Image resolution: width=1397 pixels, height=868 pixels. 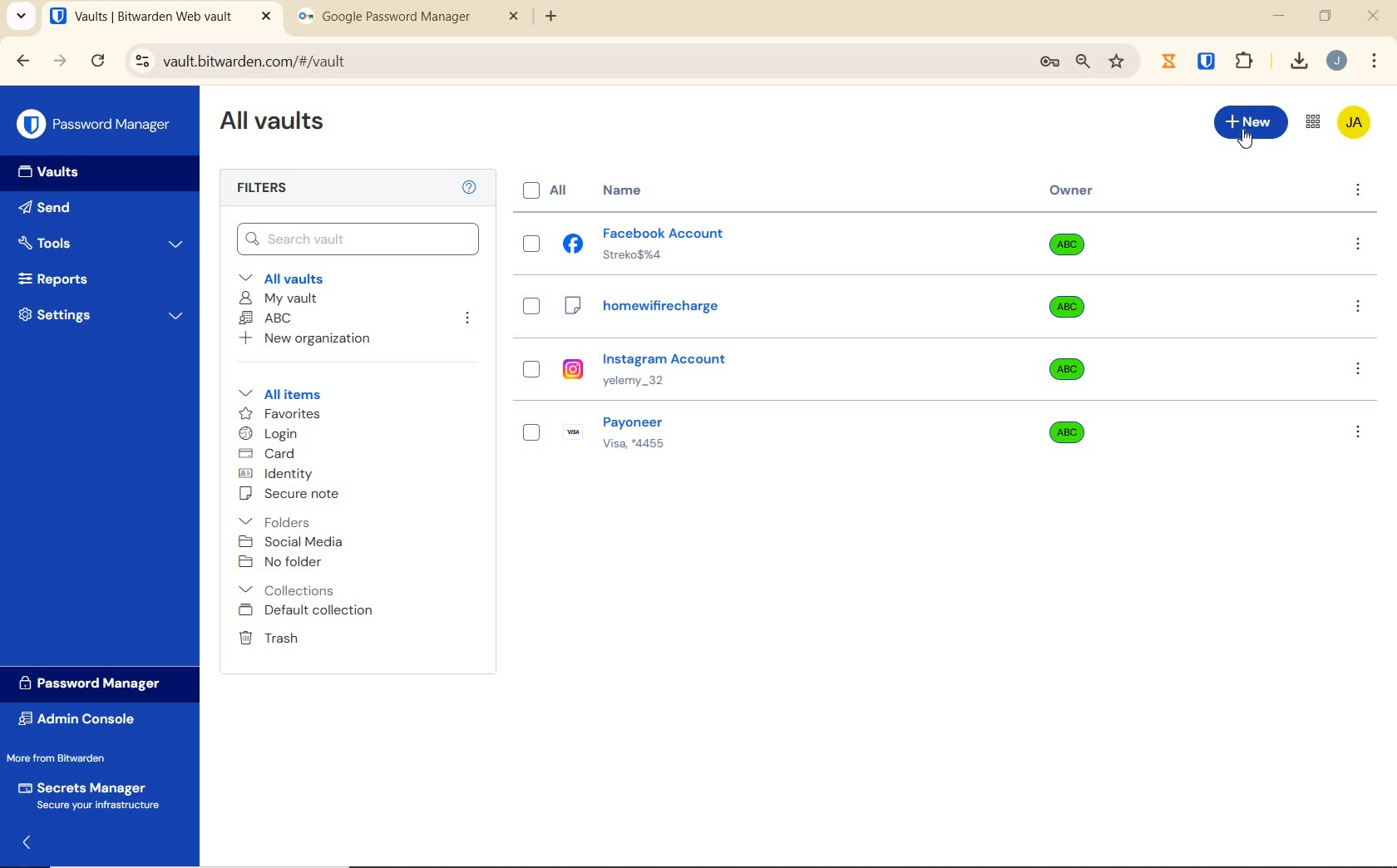 I want to click on Send, so click(x=45, y=210).